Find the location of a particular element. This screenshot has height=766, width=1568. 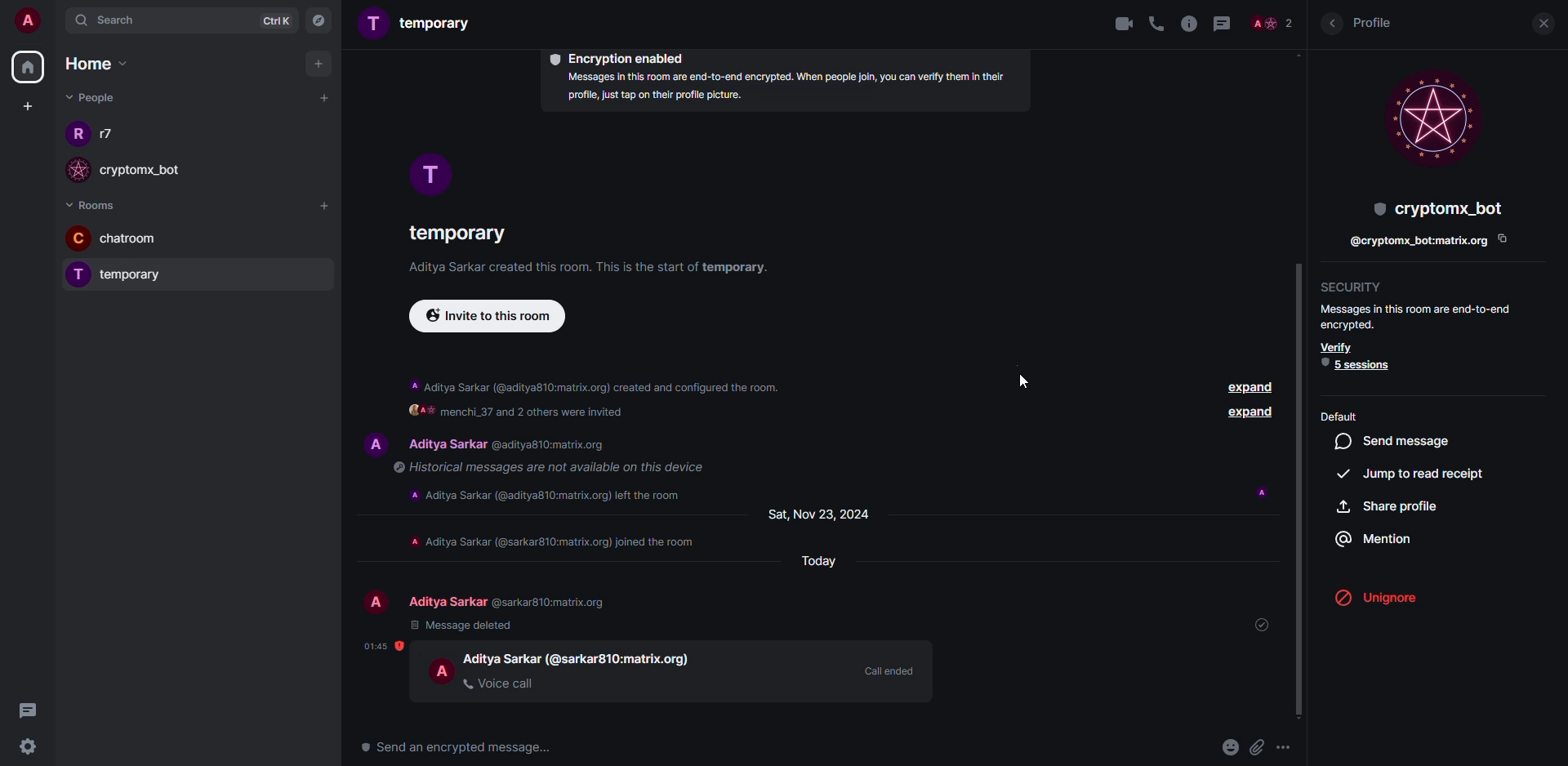

verify is located at coordinates (1337, 347).